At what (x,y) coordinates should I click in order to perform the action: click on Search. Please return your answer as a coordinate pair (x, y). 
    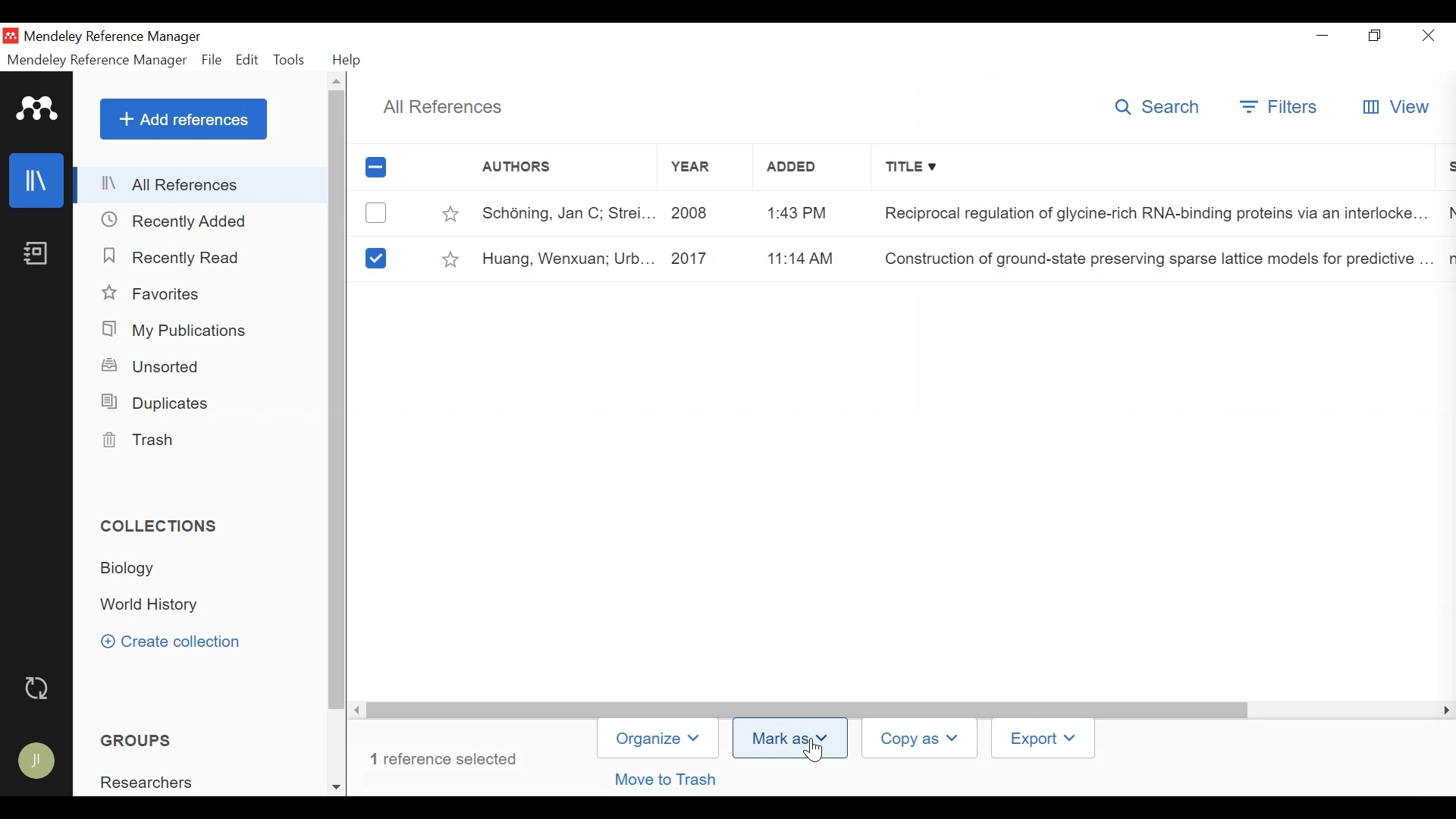
    Looking at the image, I should click on (1158, 108).